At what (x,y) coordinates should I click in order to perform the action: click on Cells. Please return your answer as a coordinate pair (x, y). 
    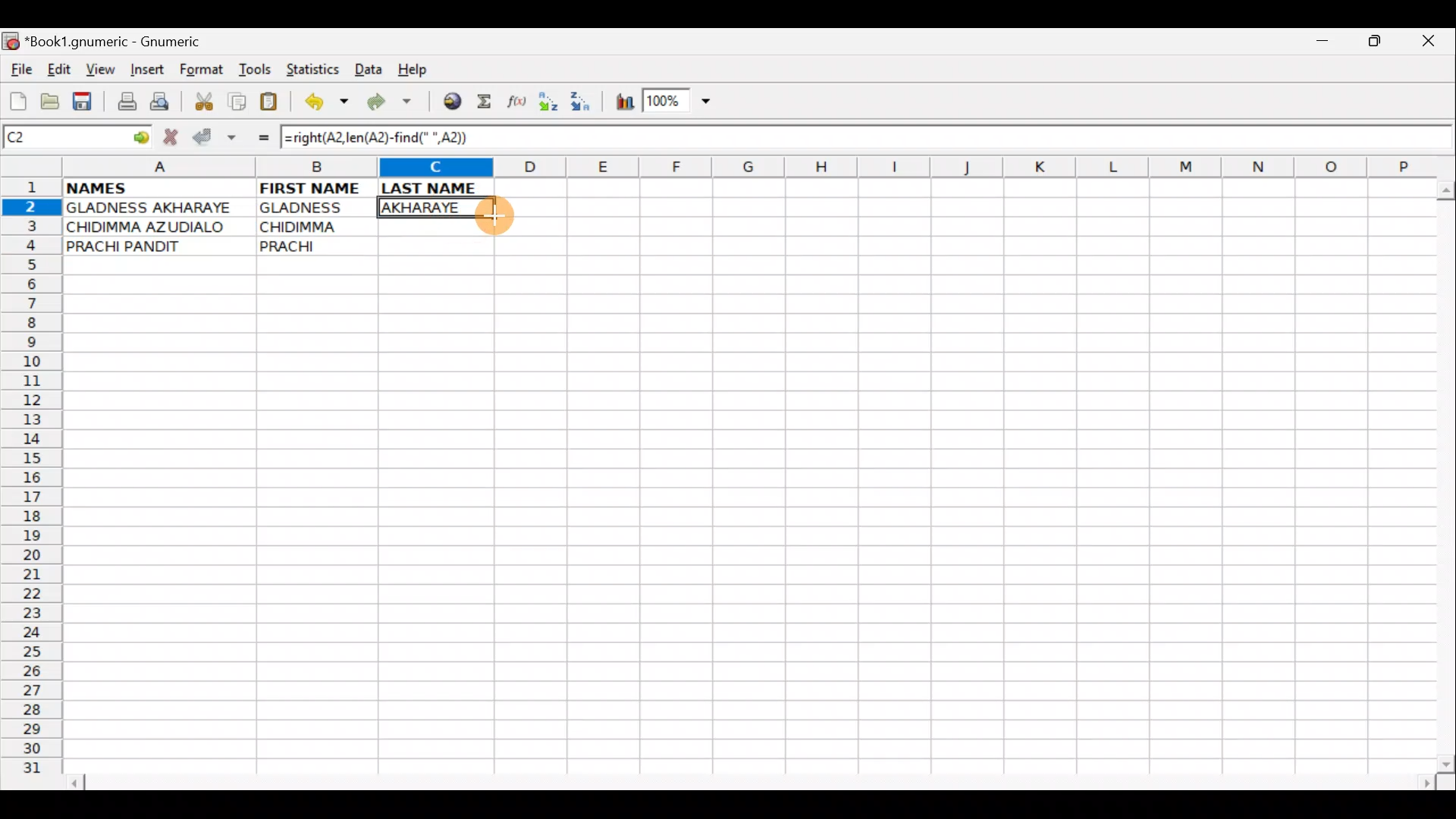
    Looking at the image, I should click on (742, 524).